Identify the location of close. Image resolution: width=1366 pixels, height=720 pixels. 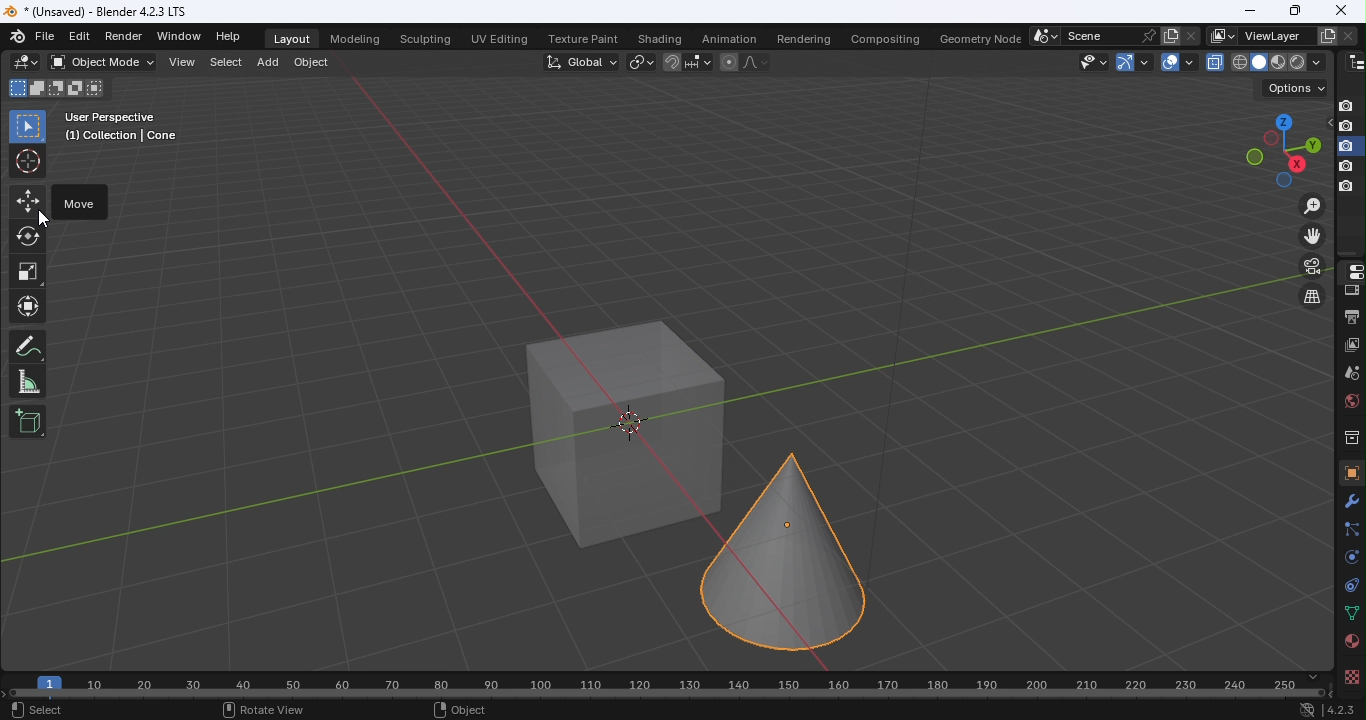
(1343, 11).